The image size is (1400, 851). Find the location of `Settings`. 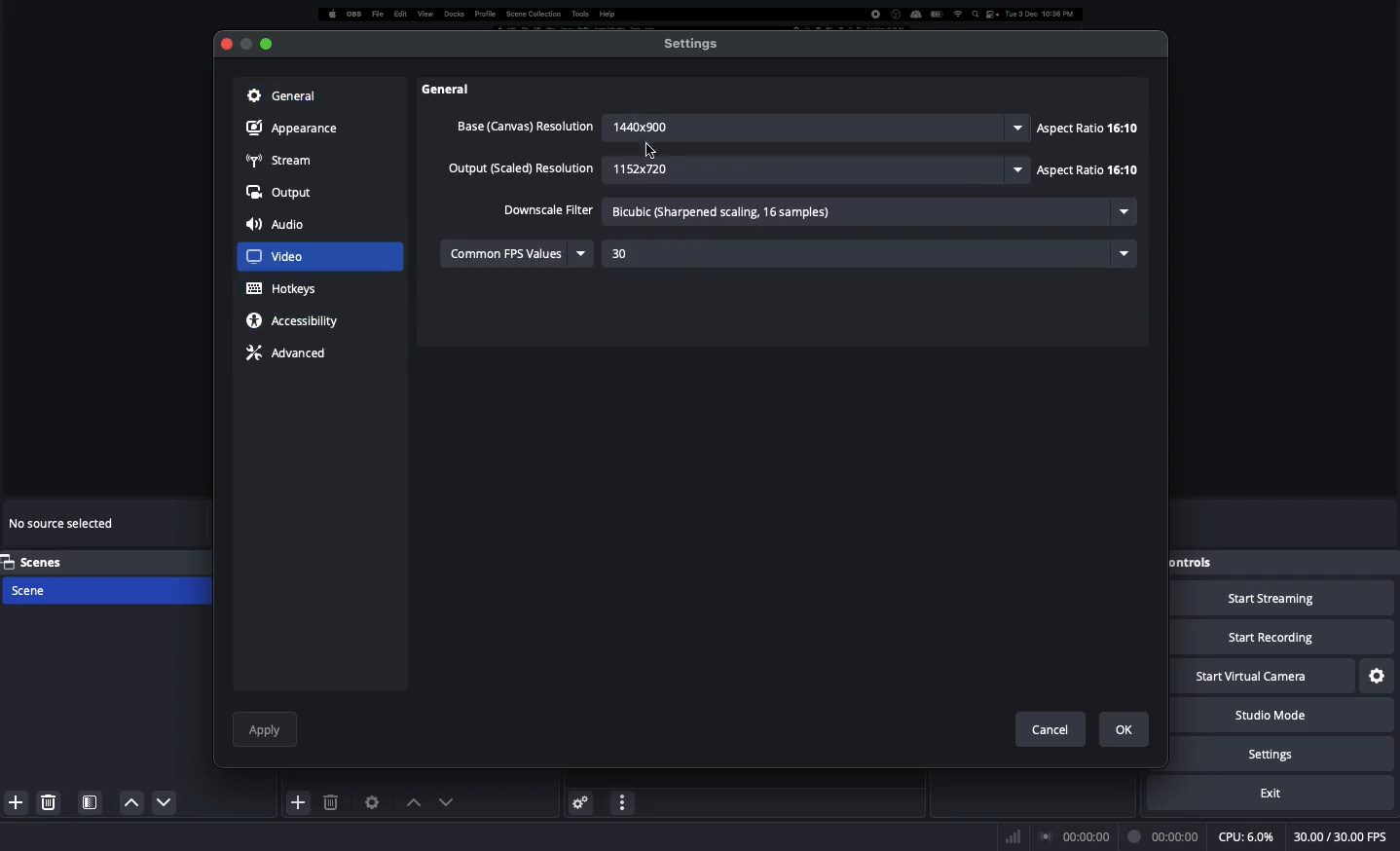

Settings is located at coordinates (1298, 754).